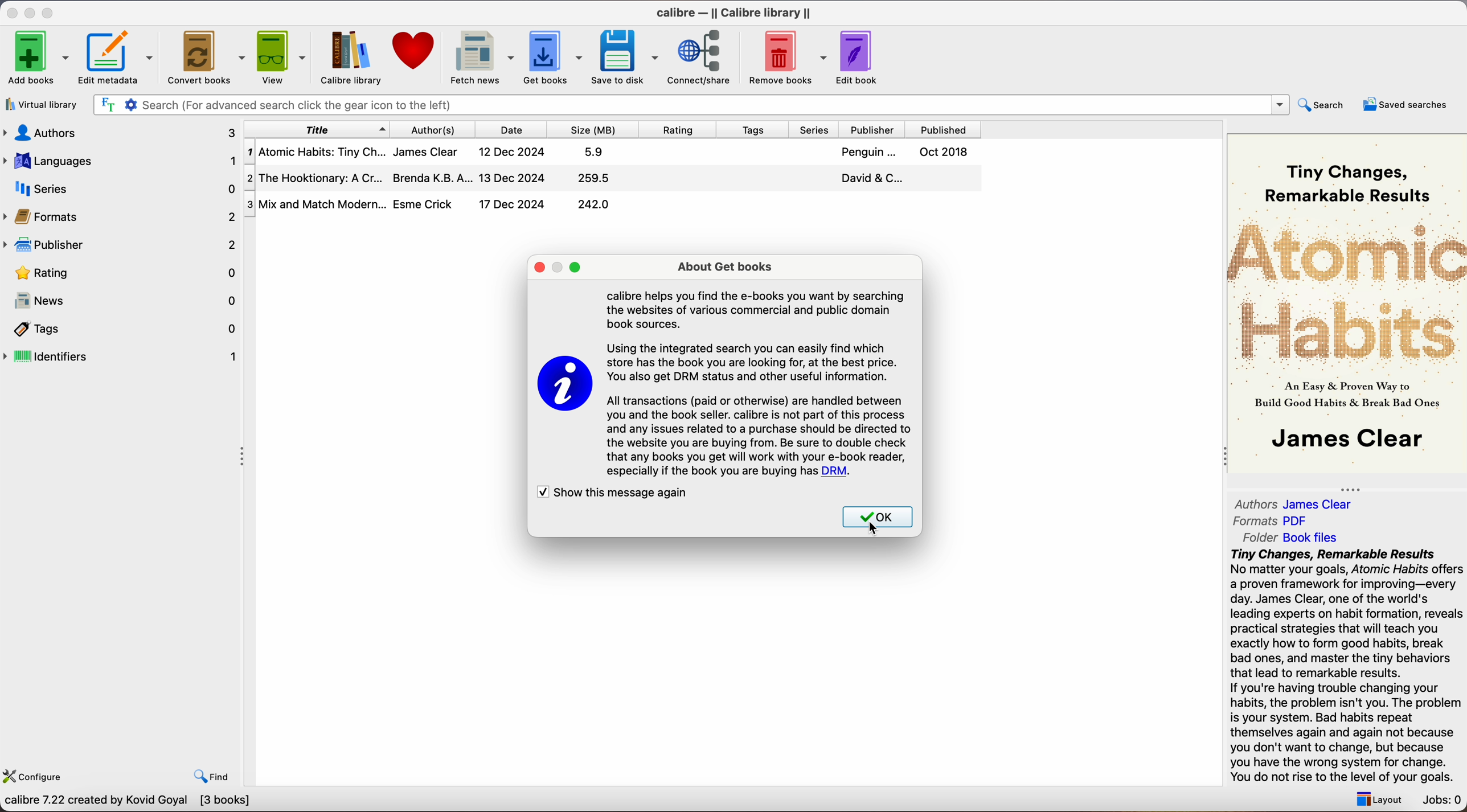 Image resolution: width=1467 pixels, height=812 pixels. I want to click on news, so click(123, 302).